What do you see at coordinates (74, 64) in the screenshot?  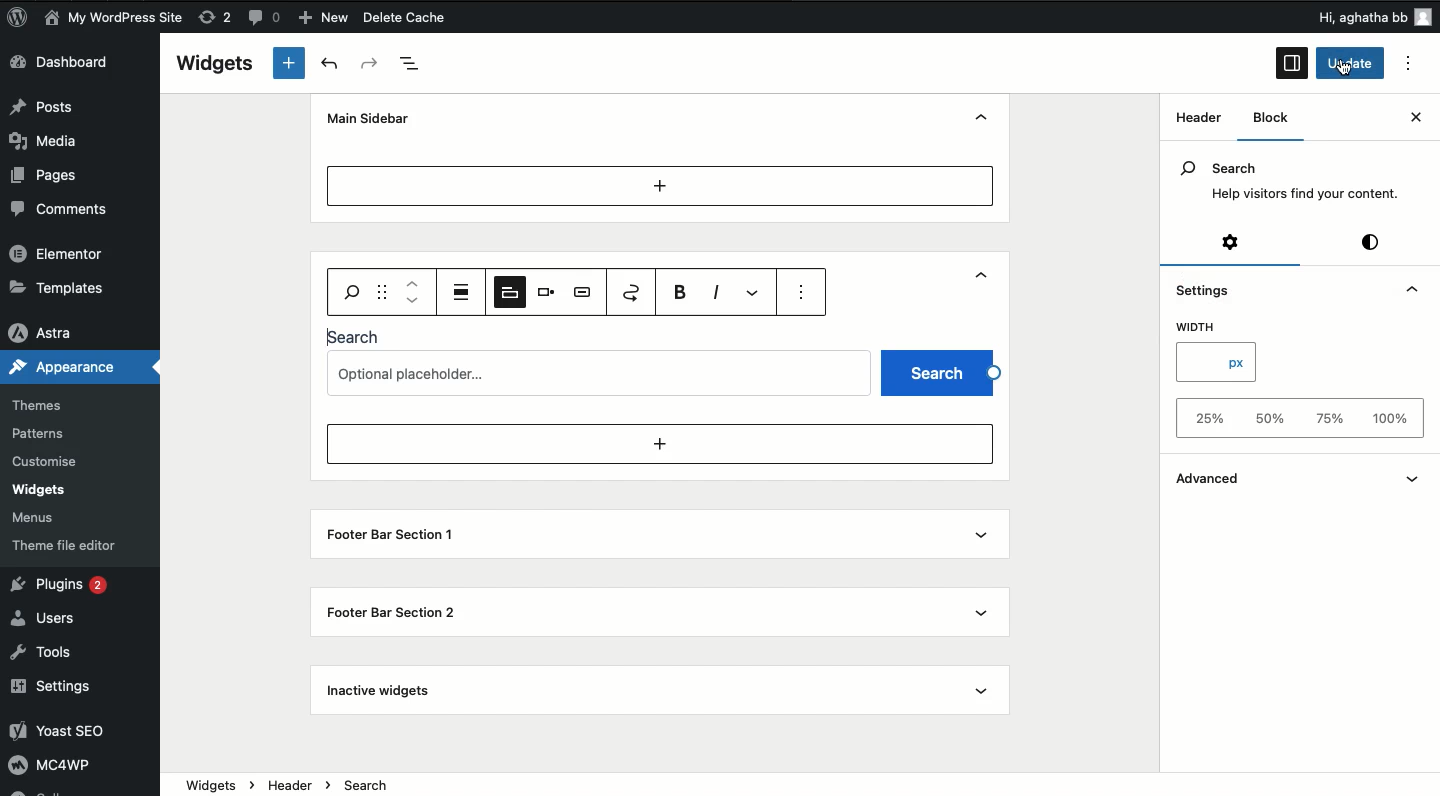 I see `Dashboard` at bounding box center [74, 64].